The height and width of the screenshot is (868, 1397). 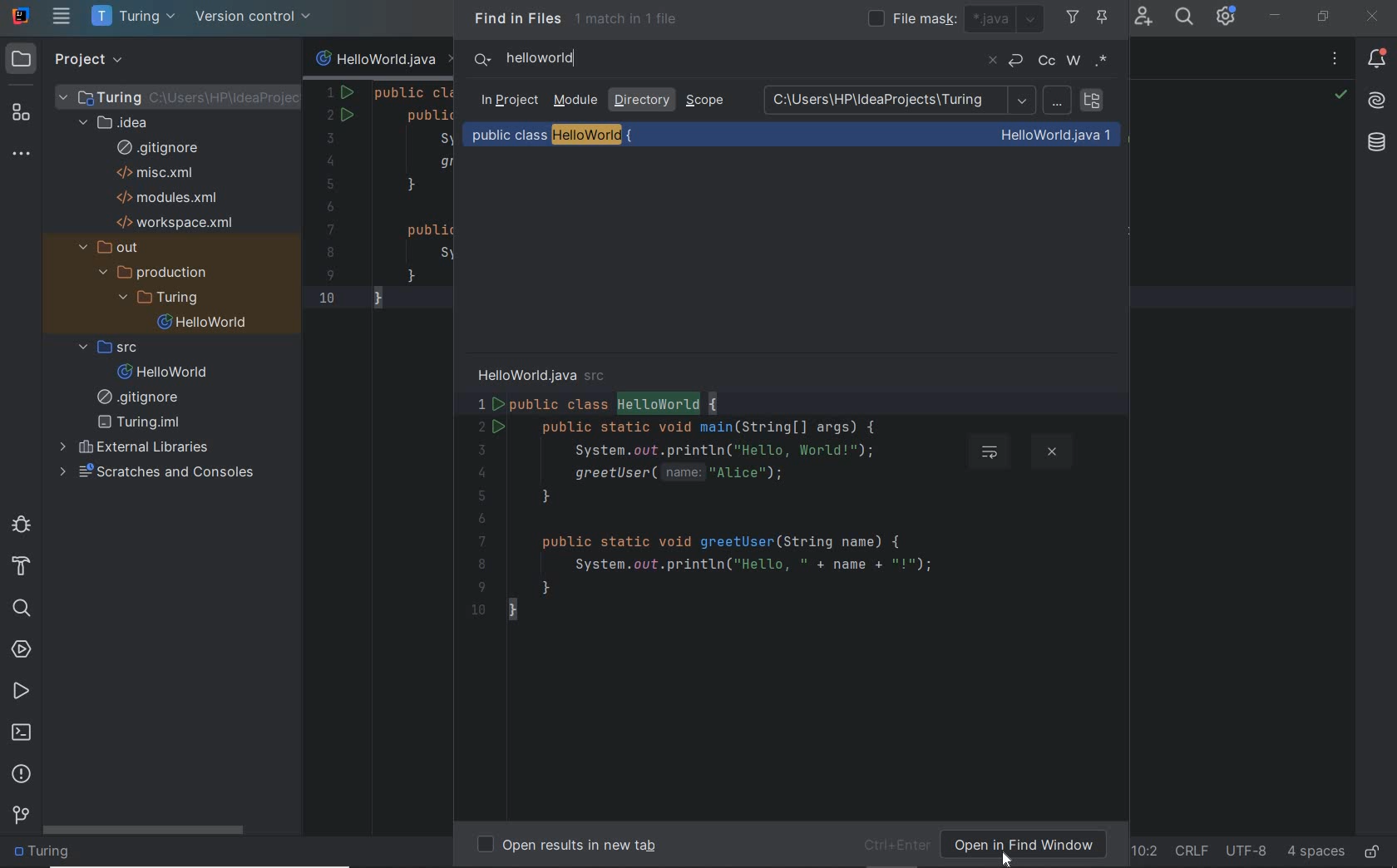 I want to click on make file ready only, so click(x=1376, y=851).